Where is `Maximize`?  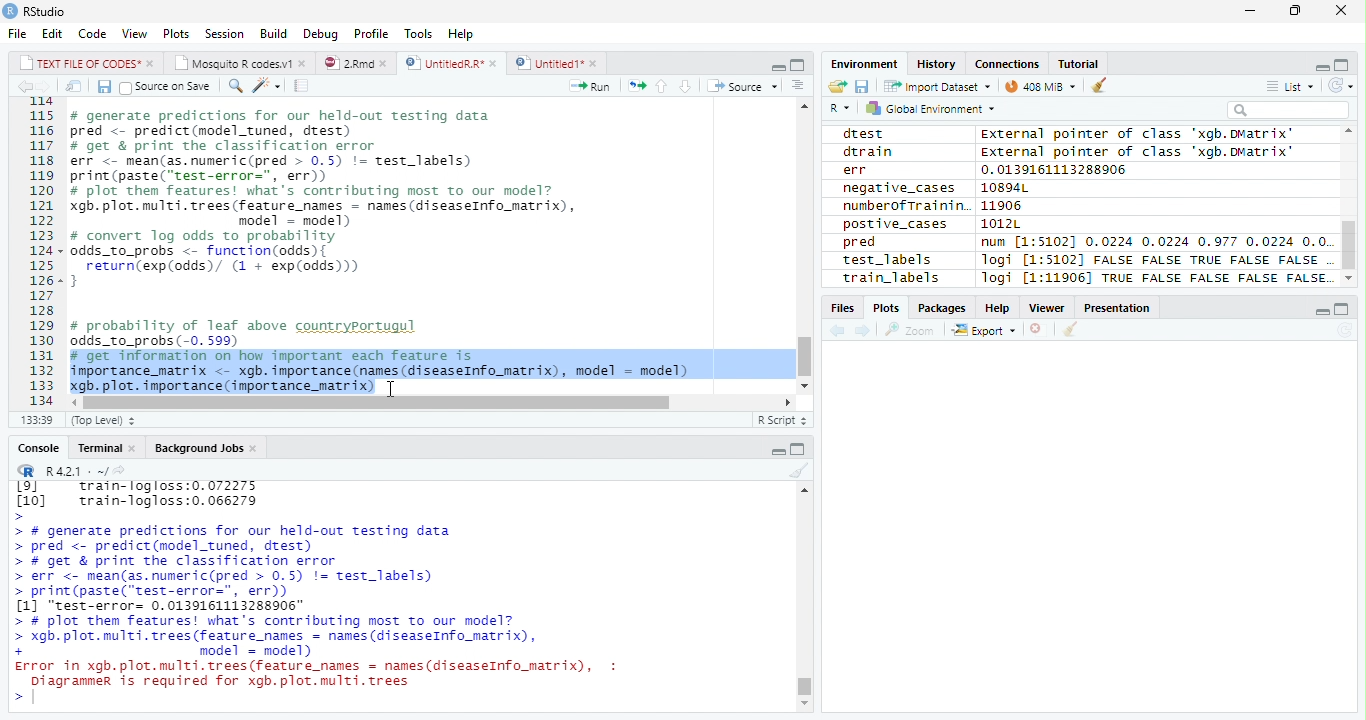
Maximize is located at coordinates (797, 63).